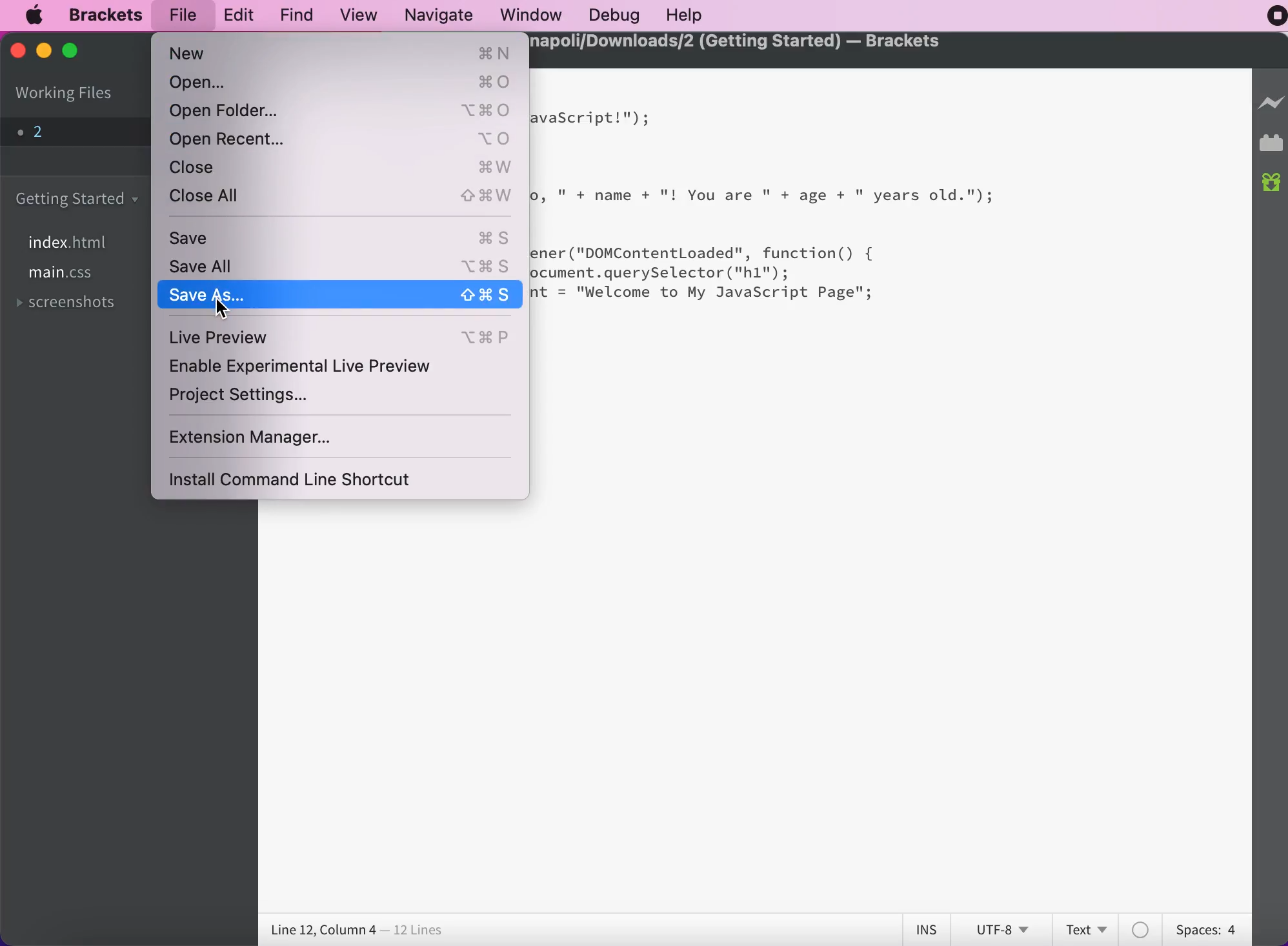 Image resolution: width=1288 pixels, height=946 pixels. What do you see at coordinates (81, 198) in the screenshot?
I see `getting started folder` at bounding box center [81, 198].